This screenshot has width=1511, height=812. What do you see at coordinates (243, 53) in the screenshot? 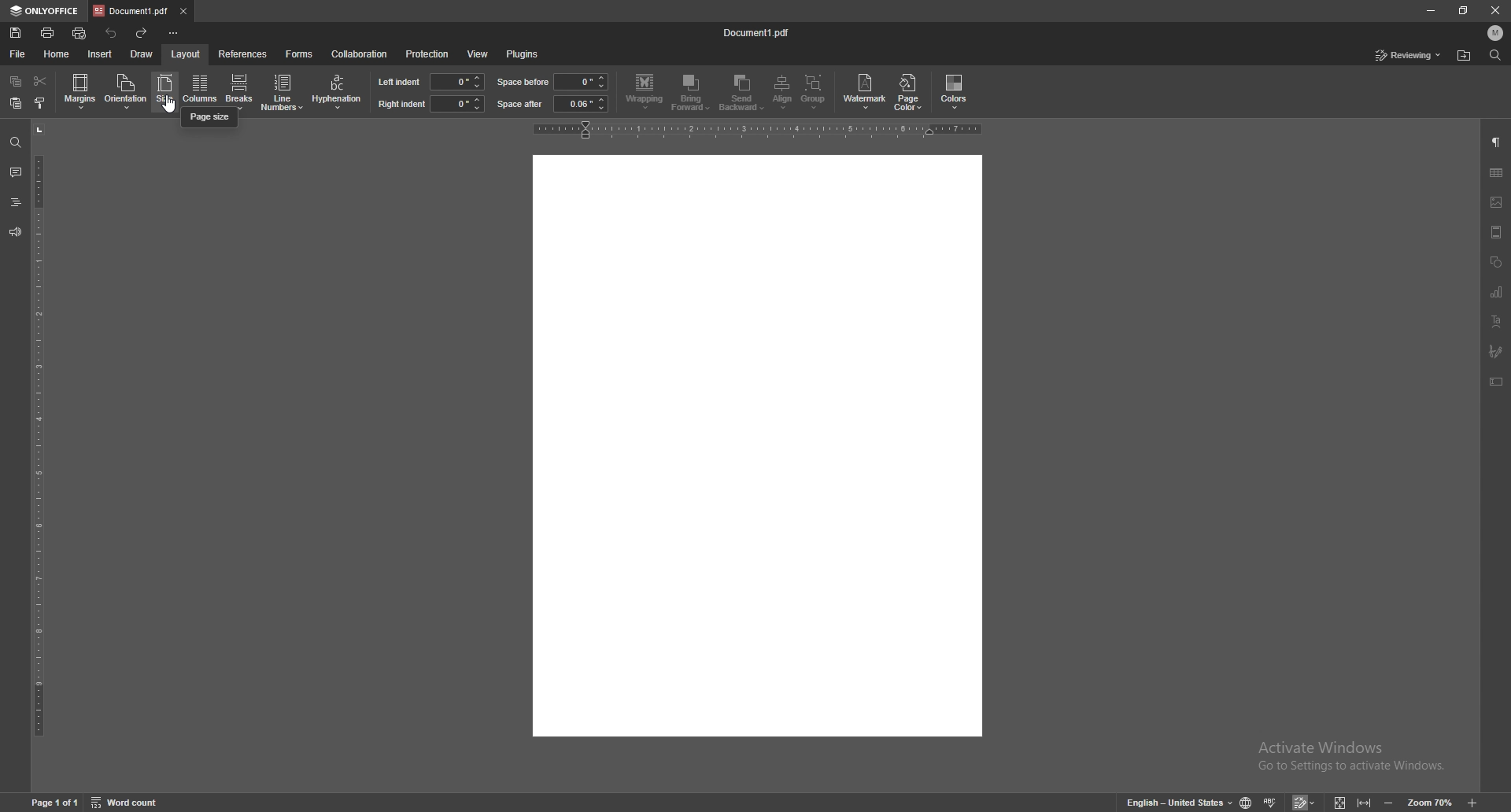
I see `references` at bounding box center [243, 53].